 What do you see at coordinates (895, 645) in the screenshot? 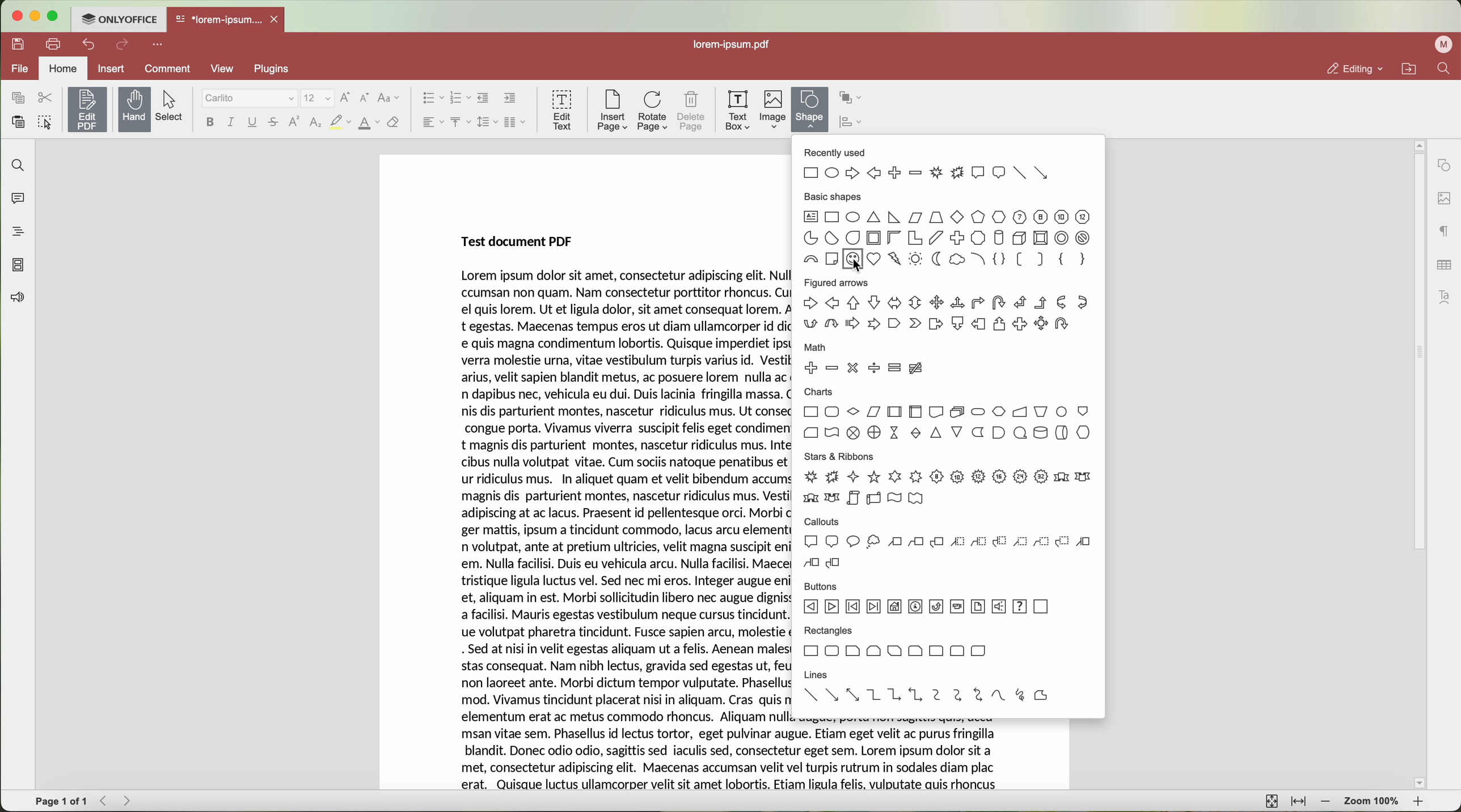
I see `rectangles` at bounding box center [895, 645].